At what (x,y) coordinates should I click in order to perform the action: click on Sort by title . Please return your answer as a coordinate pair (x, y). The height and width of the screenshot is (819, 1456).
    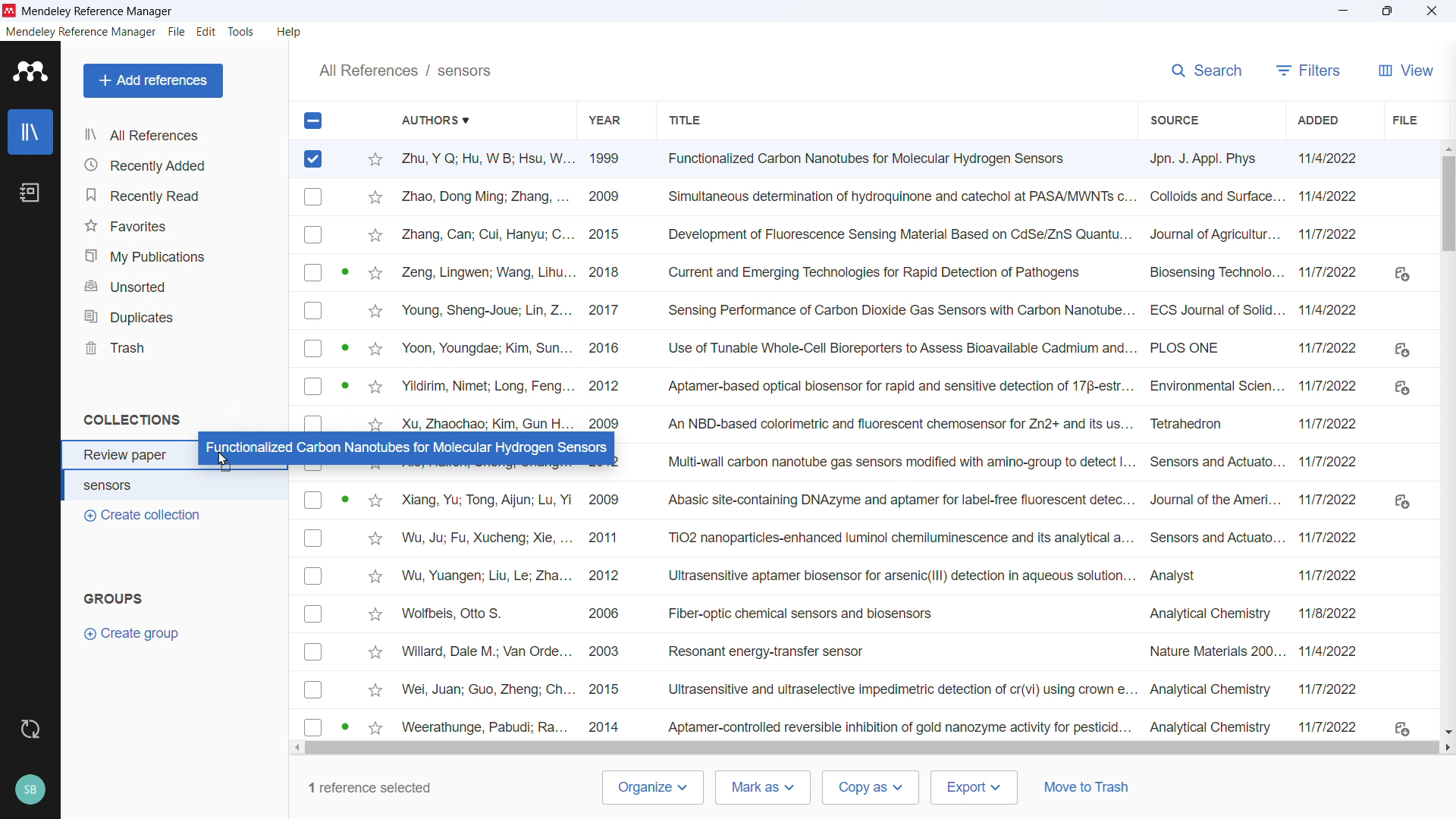
    Looking at the image, I should click on (686, 120).